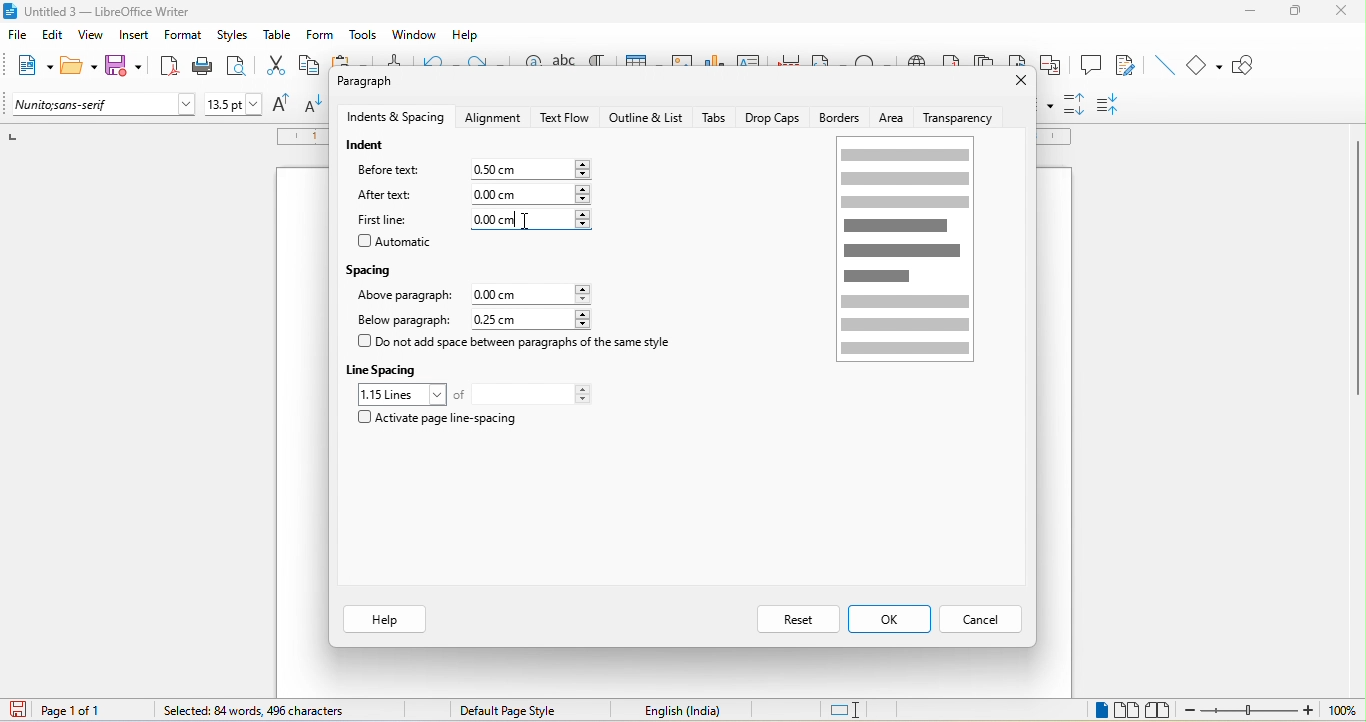  I want to click on vertical scroll bar, so click(1357, 270).